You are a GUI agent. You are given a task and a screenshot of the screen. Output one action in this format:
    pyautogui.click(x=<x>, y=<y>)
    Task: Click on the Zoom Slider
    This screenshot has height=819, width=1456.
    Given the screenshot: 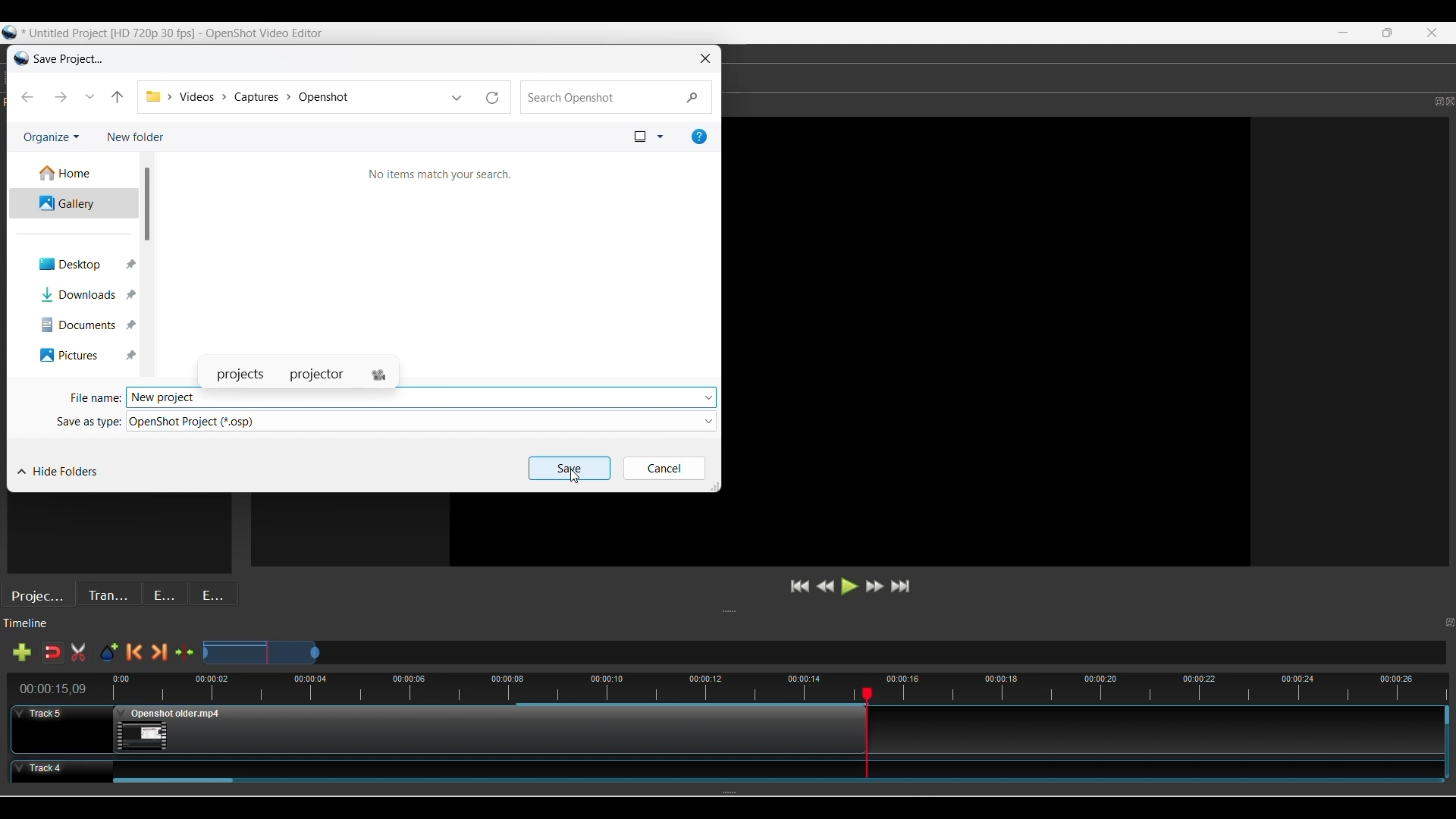 What is the action you would take?
    pyautogui.click(x=823, y=653)
    